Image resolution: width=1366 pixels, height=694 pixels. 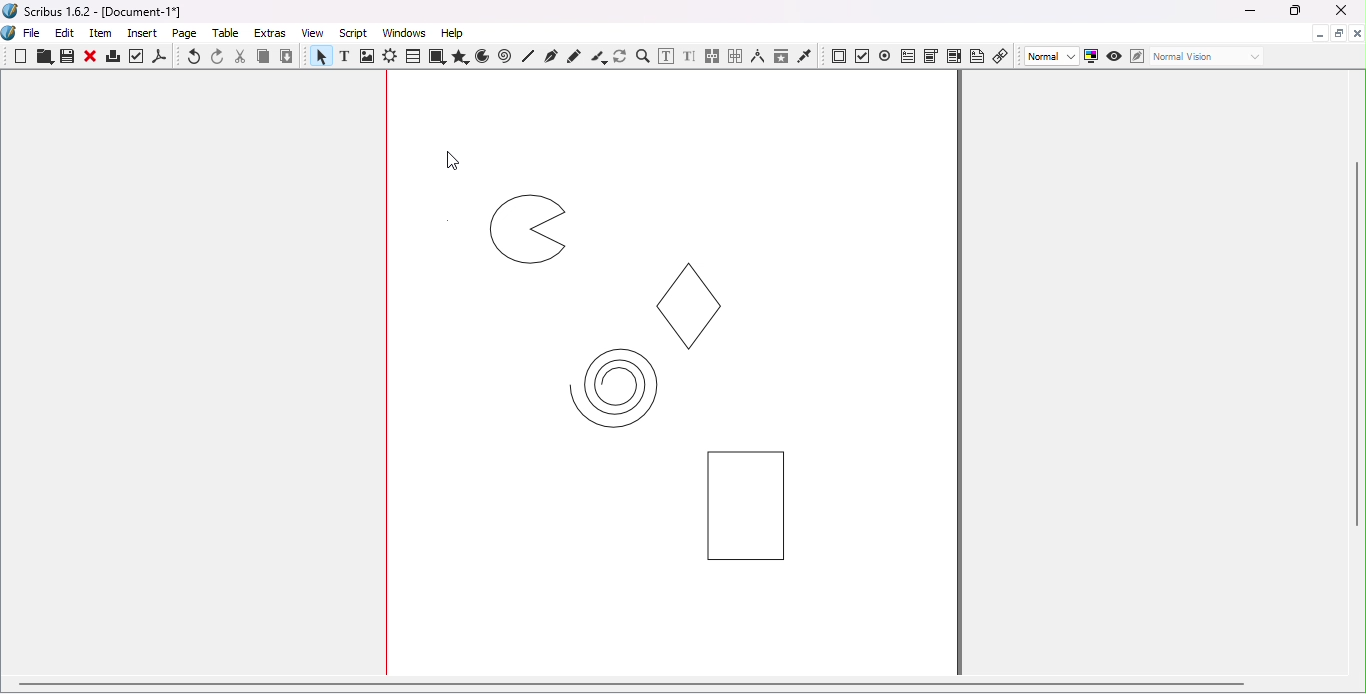 I want to click on Save, so click(x=65, y=57).